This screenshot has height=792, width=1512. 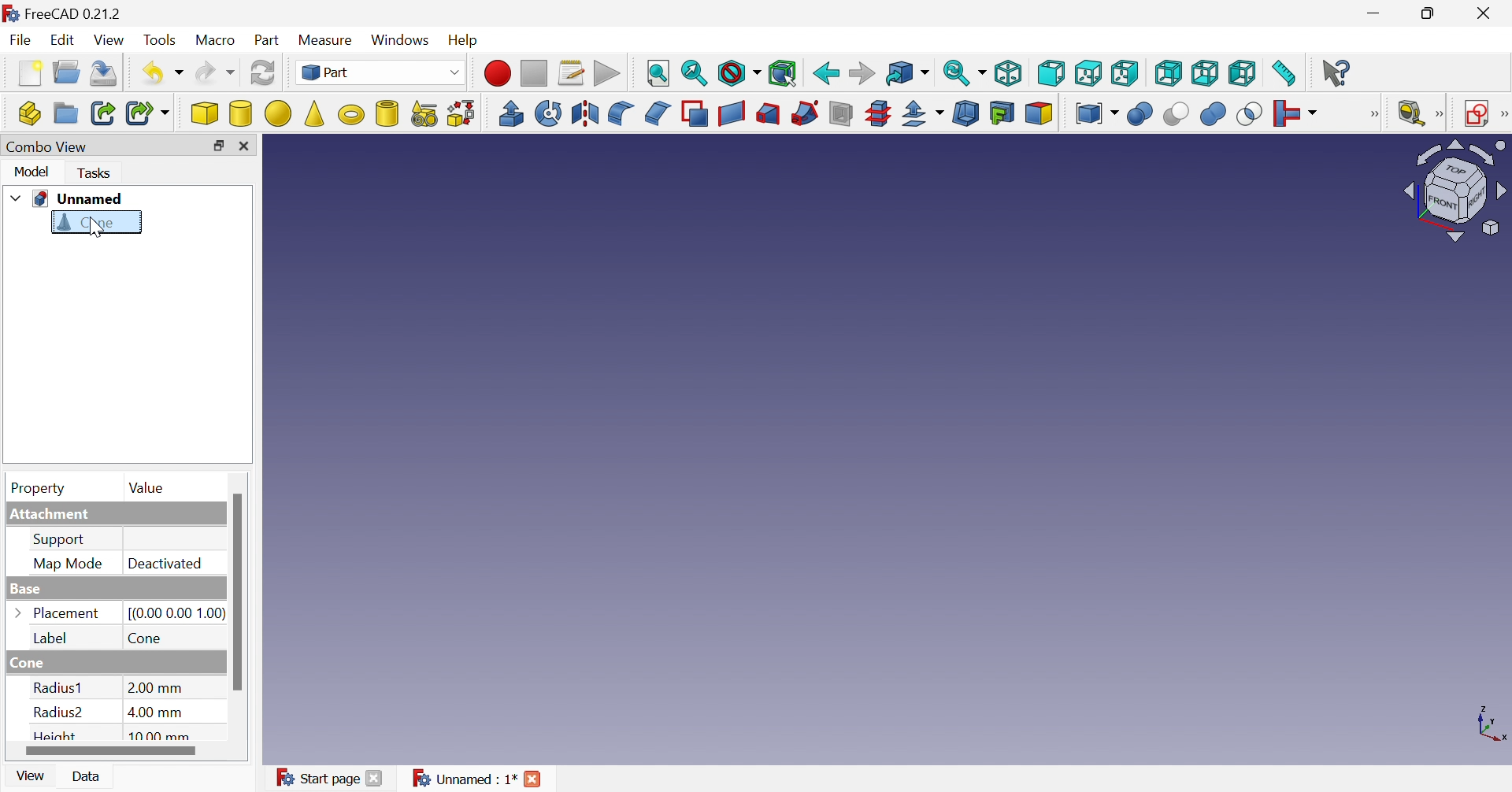 What do you see at coordinates (18, 39) in the screenshot?
I see `File` at bounding box center [18, 39].